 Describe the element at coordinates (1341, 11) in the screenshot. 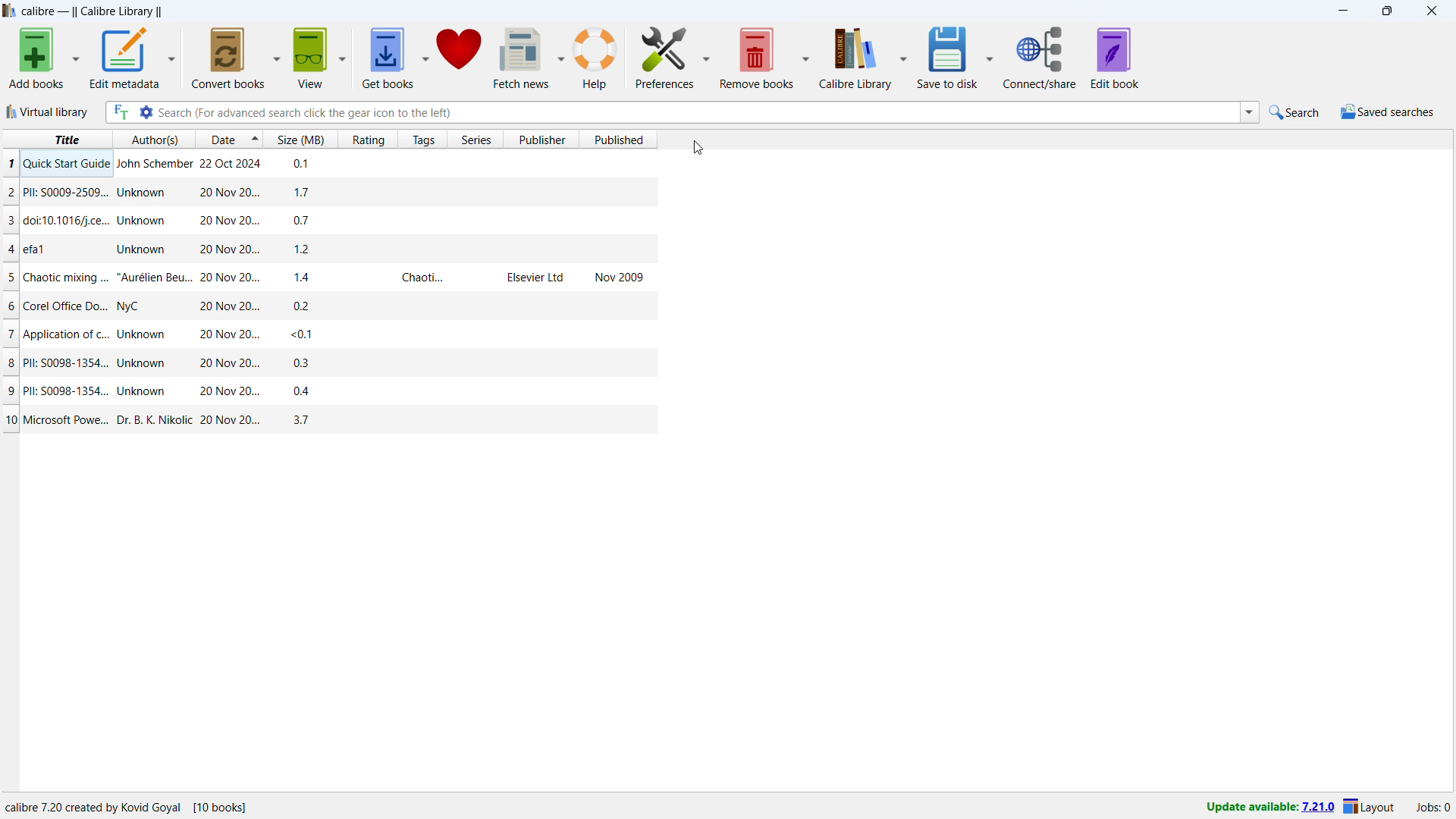

I see `minimize` at that location.